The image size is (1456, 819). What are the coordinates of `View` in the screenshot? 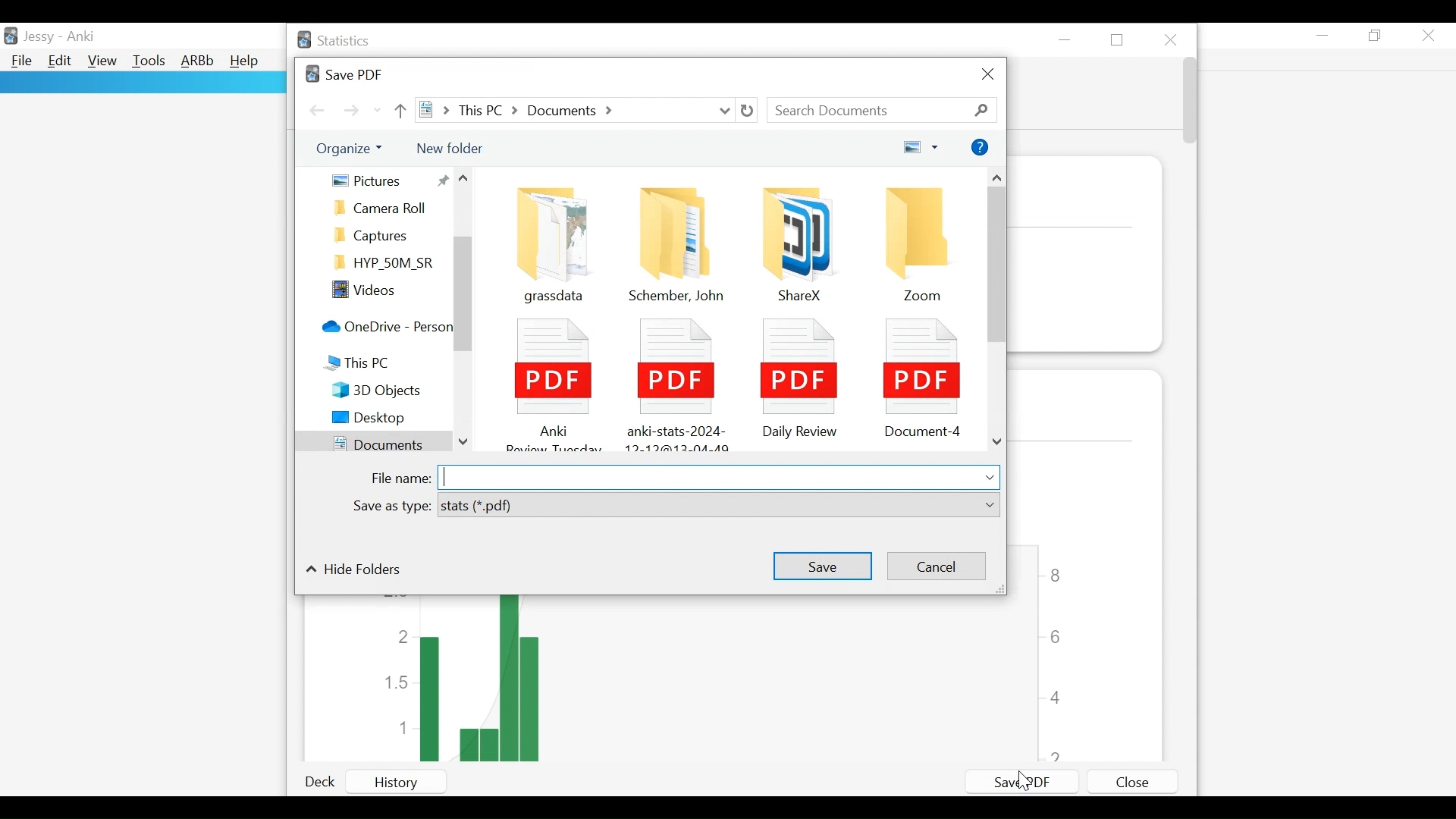 It's located at (102, 61).